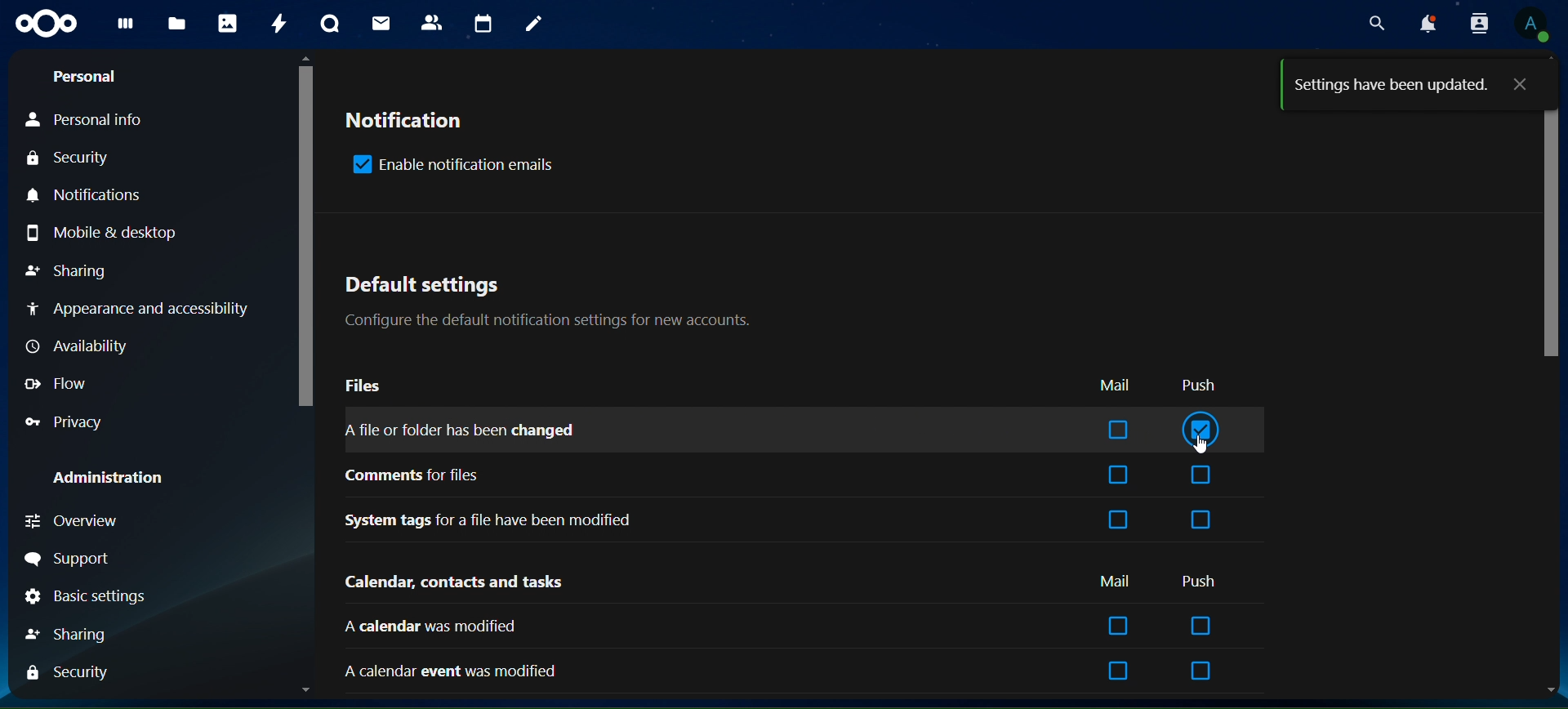 The height and width of the screenshot is (709, 1568). Describe the element at coordinates (46, 24) in the screenshot. I see `icon` at that location.